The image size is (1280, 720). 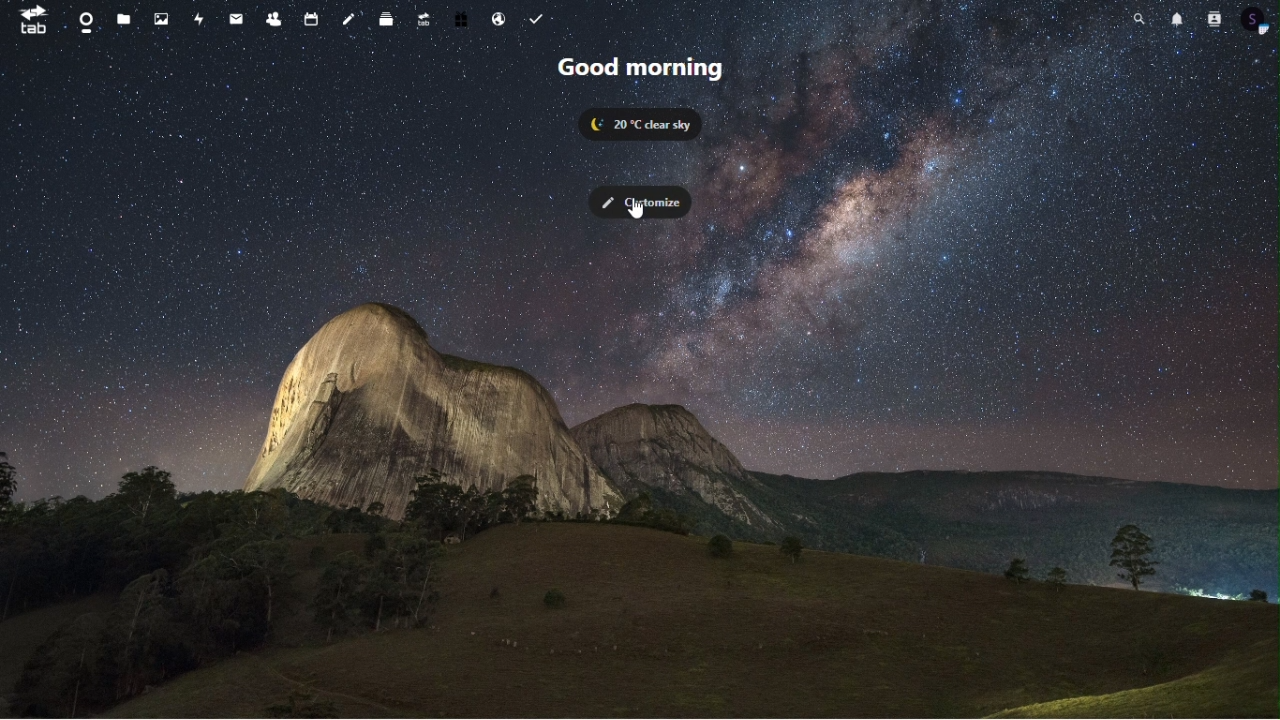 I want to click on note, so click(x=349, y=20).